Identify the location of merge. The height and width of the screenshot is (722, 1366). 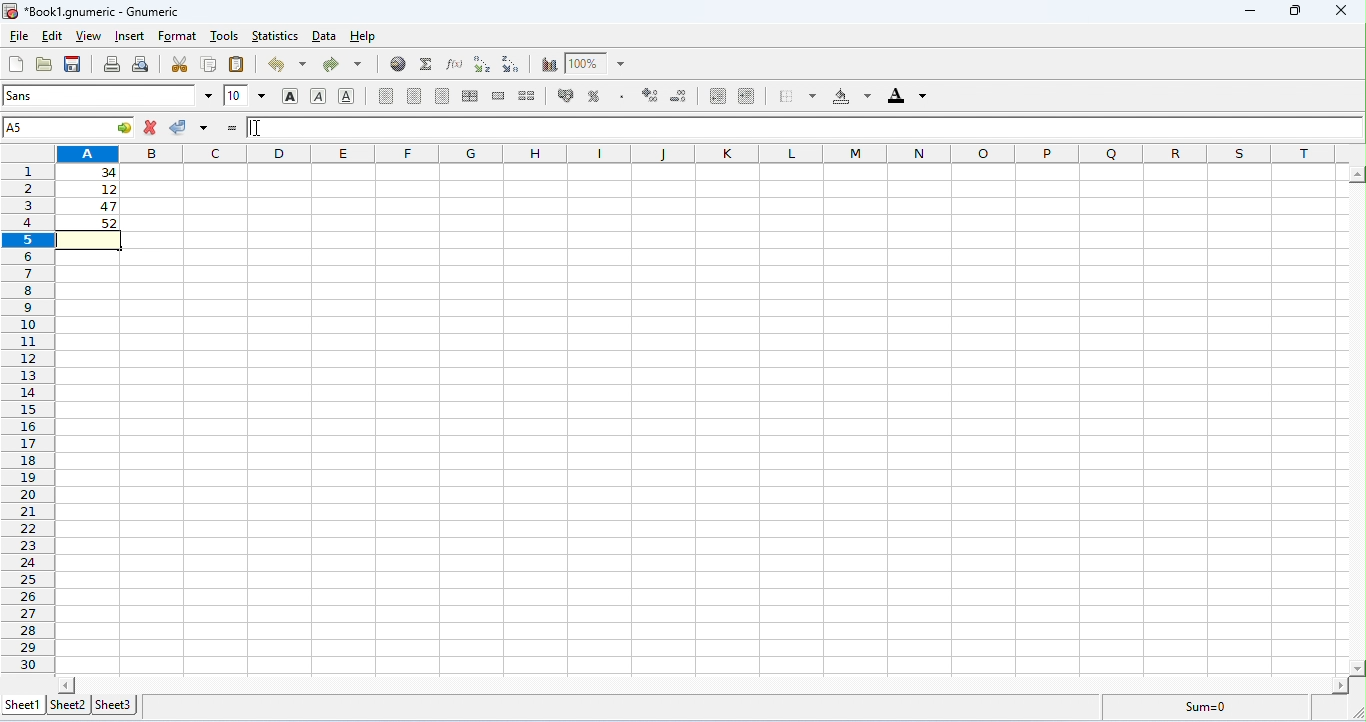
(500, 96).